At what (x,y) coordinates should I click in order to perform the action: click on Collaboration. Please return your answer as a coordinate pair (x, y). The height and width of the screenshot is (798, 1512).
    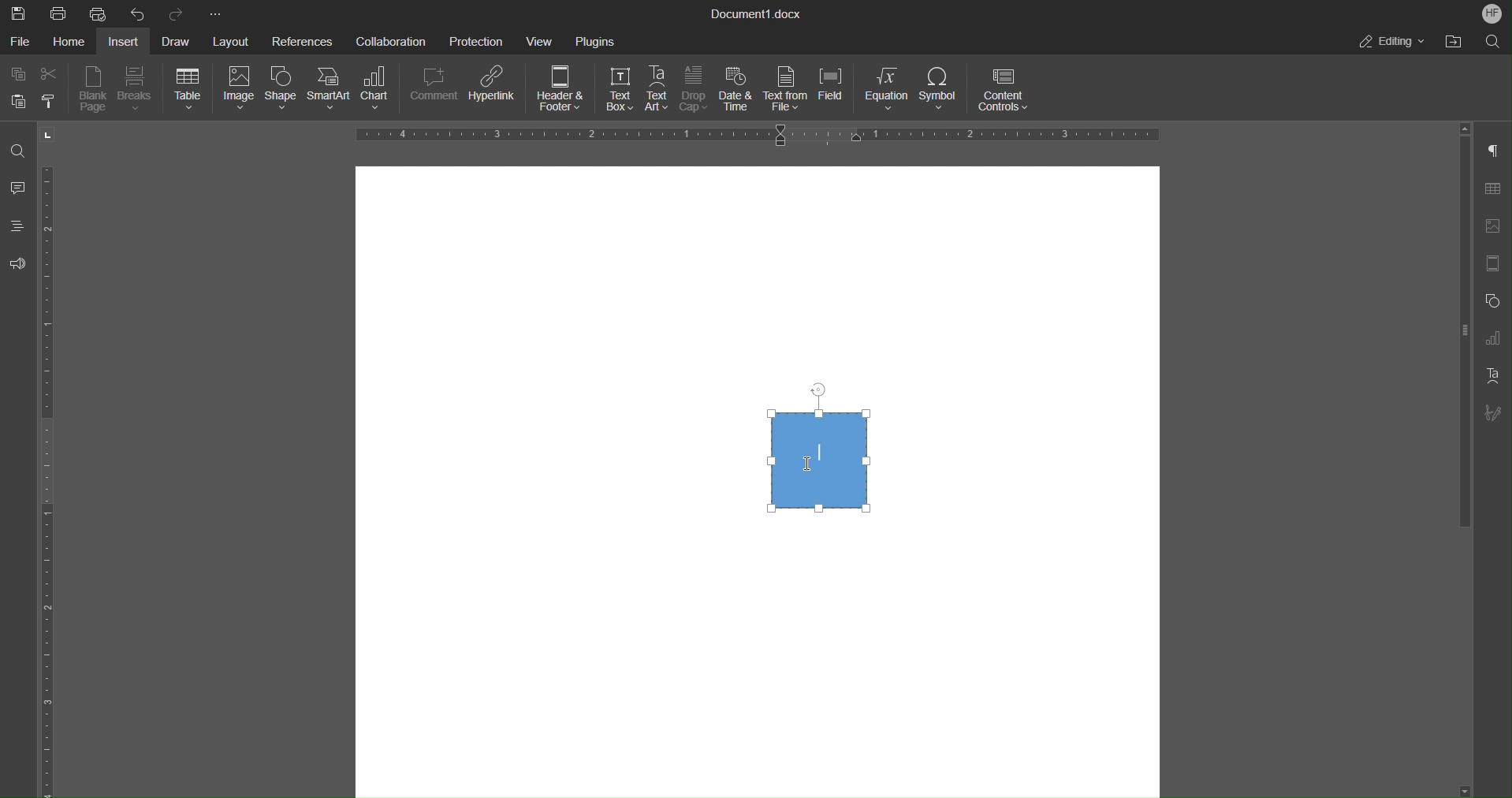
    Looking at the image, I should click on (389, 41).